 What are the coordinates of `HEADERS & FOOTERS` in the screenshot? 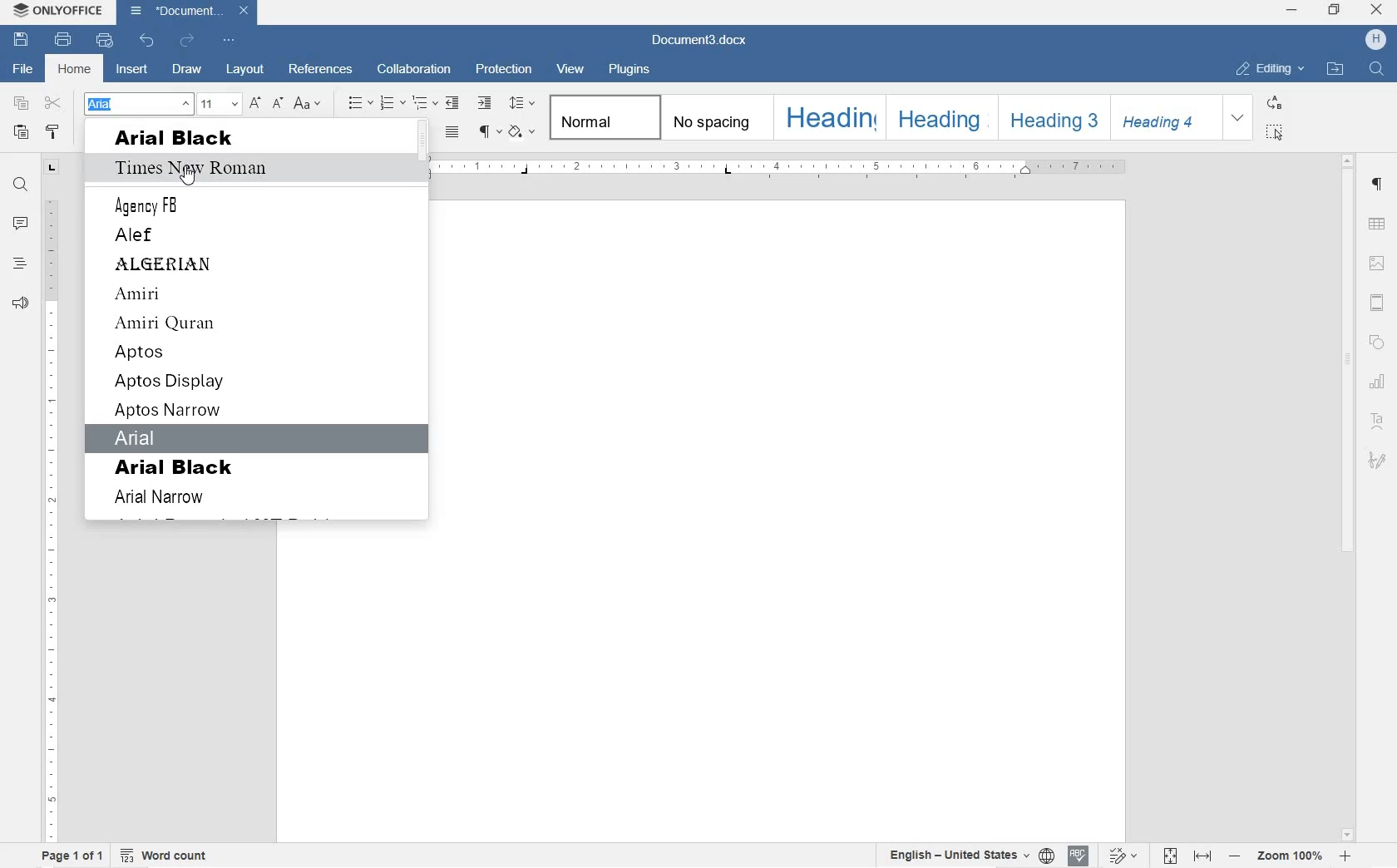 It's located at (1377, 306).